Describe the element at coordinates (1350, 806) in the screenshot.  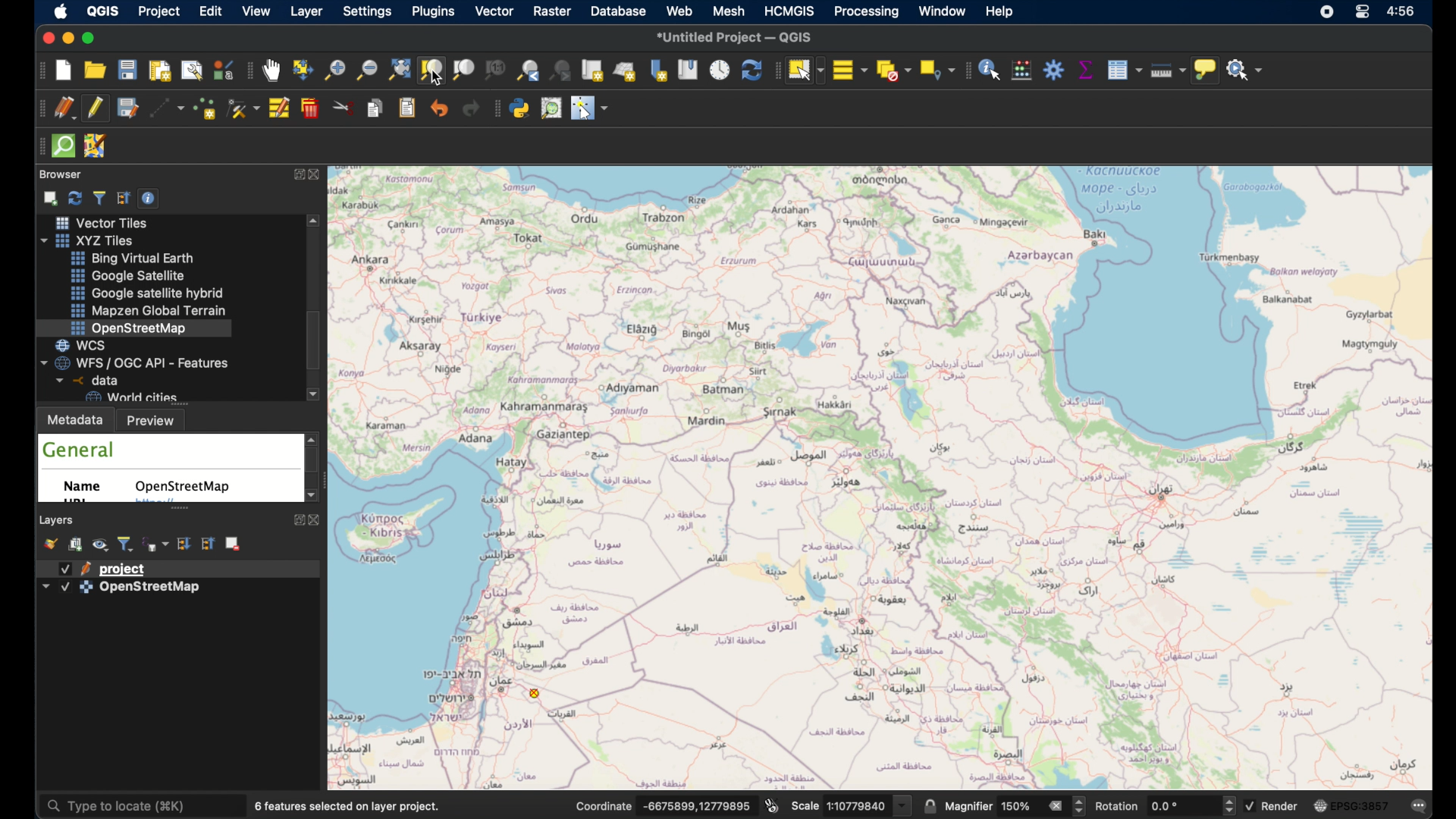
I see `current csr` at that location.